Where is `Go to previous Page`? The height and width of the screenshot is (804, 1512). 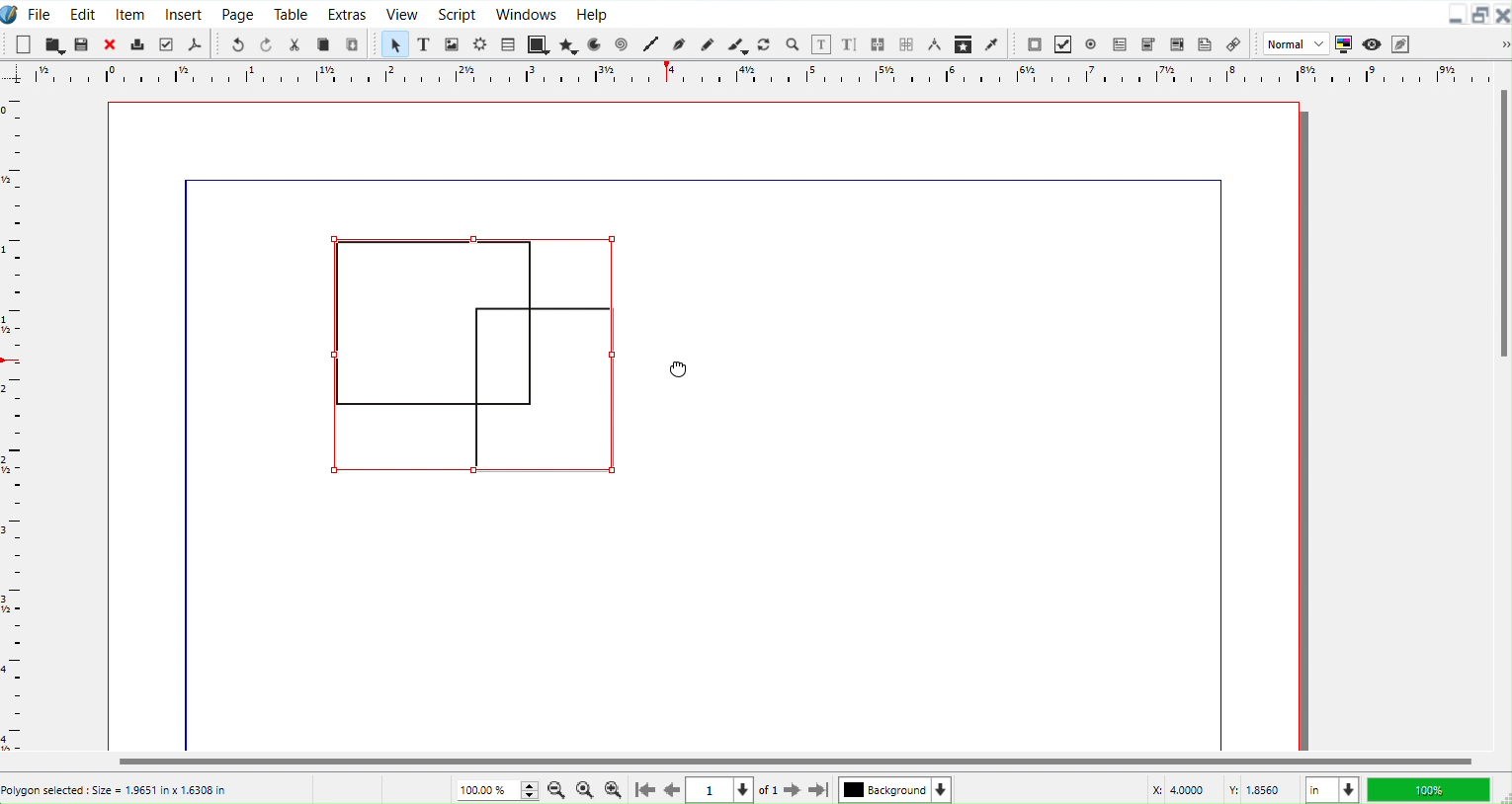 Go to previous Page is located at coordinates (673, 790).